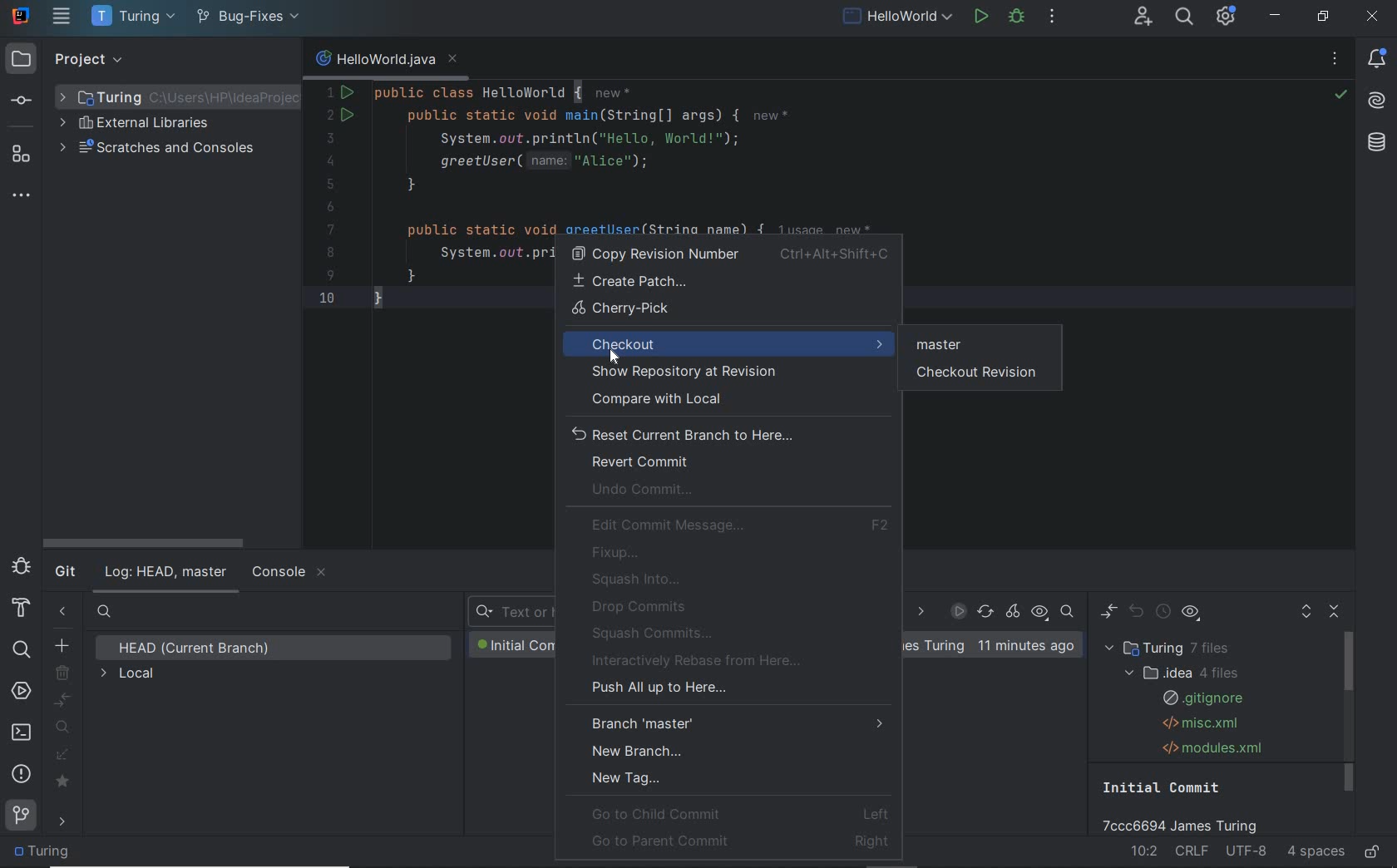 Image resolution: width=1397 pixels, height=868 pixels. Describe the element at coordinates (22, 14) in the screenshot. I see `system name` at that location.